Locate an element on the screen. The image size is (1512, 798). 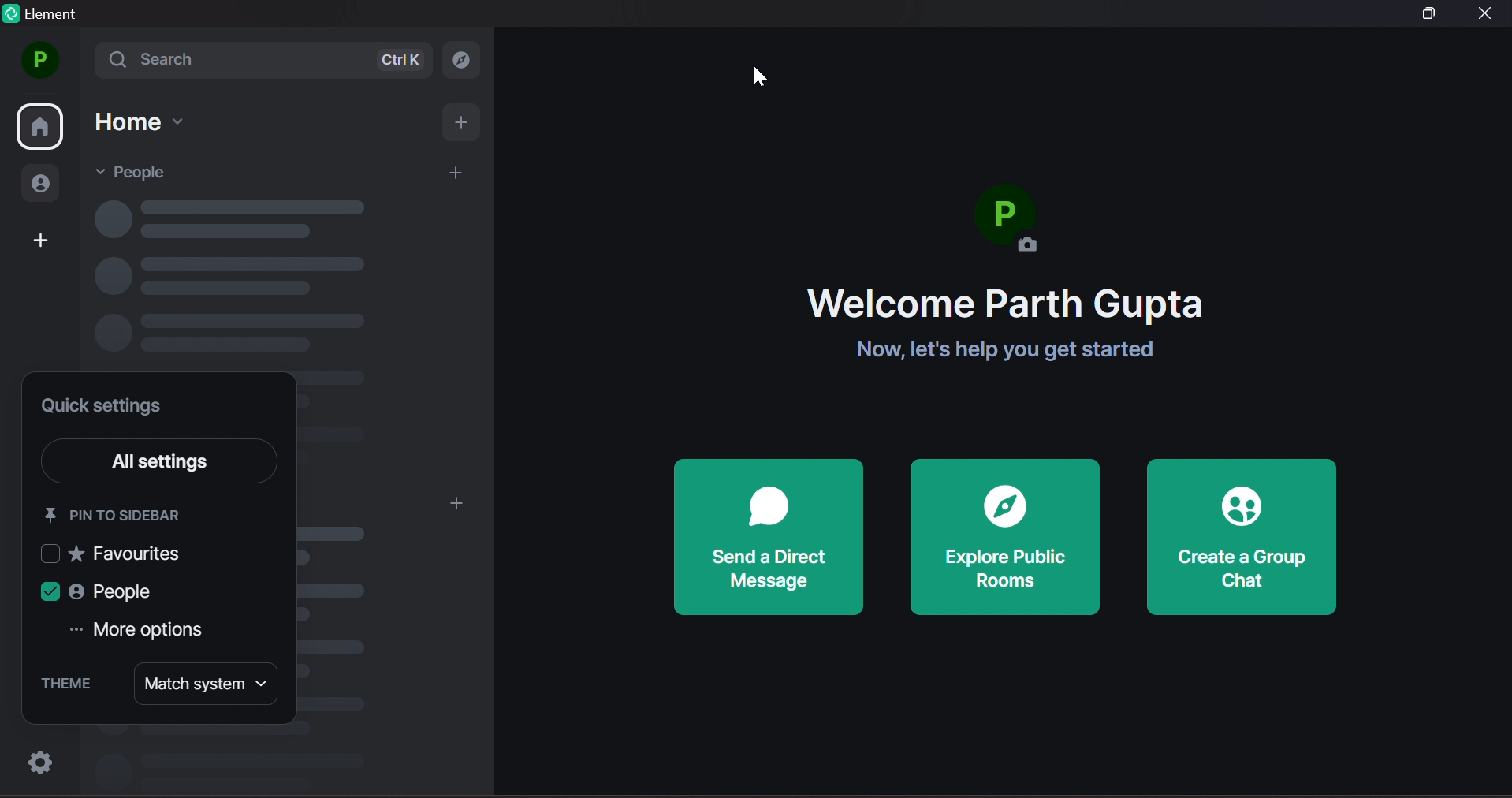
settings is located at coordinates (35, 763).